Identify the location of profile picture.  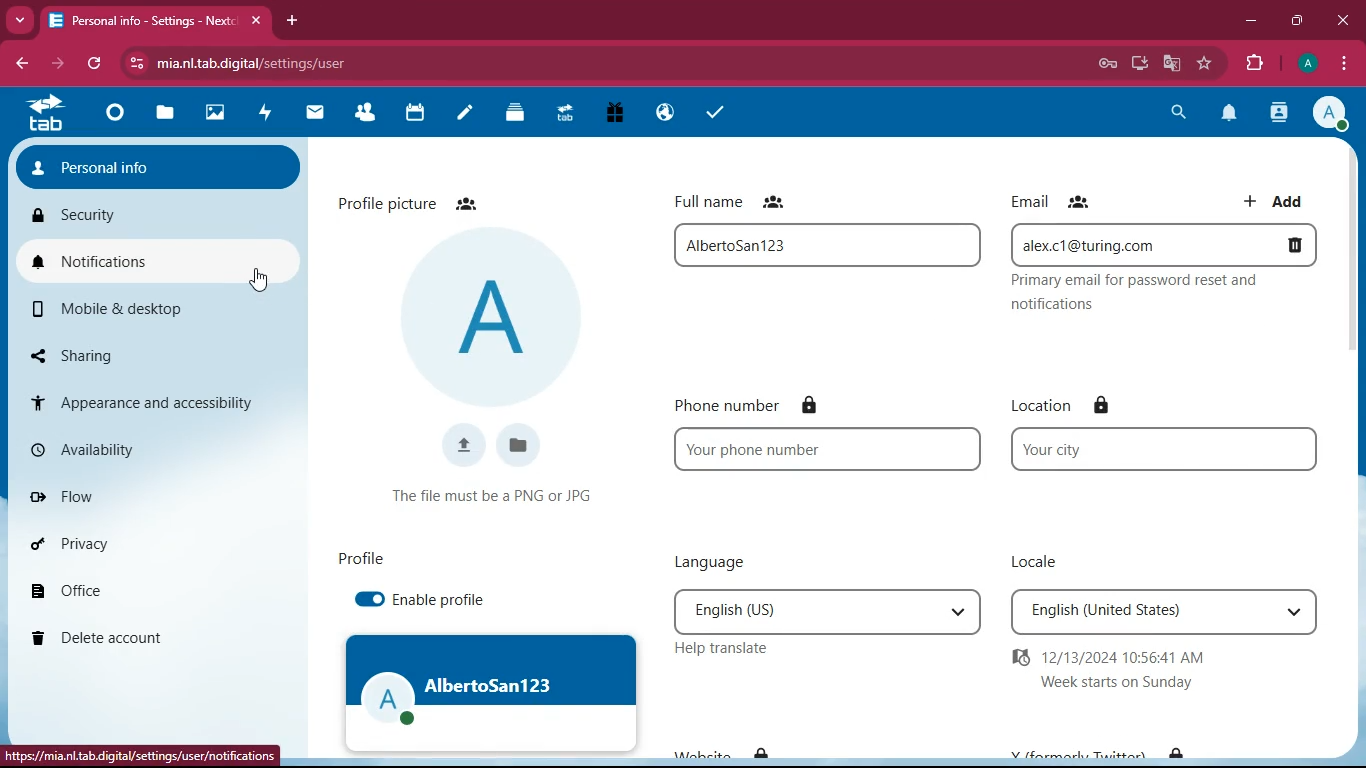
(385, 203).